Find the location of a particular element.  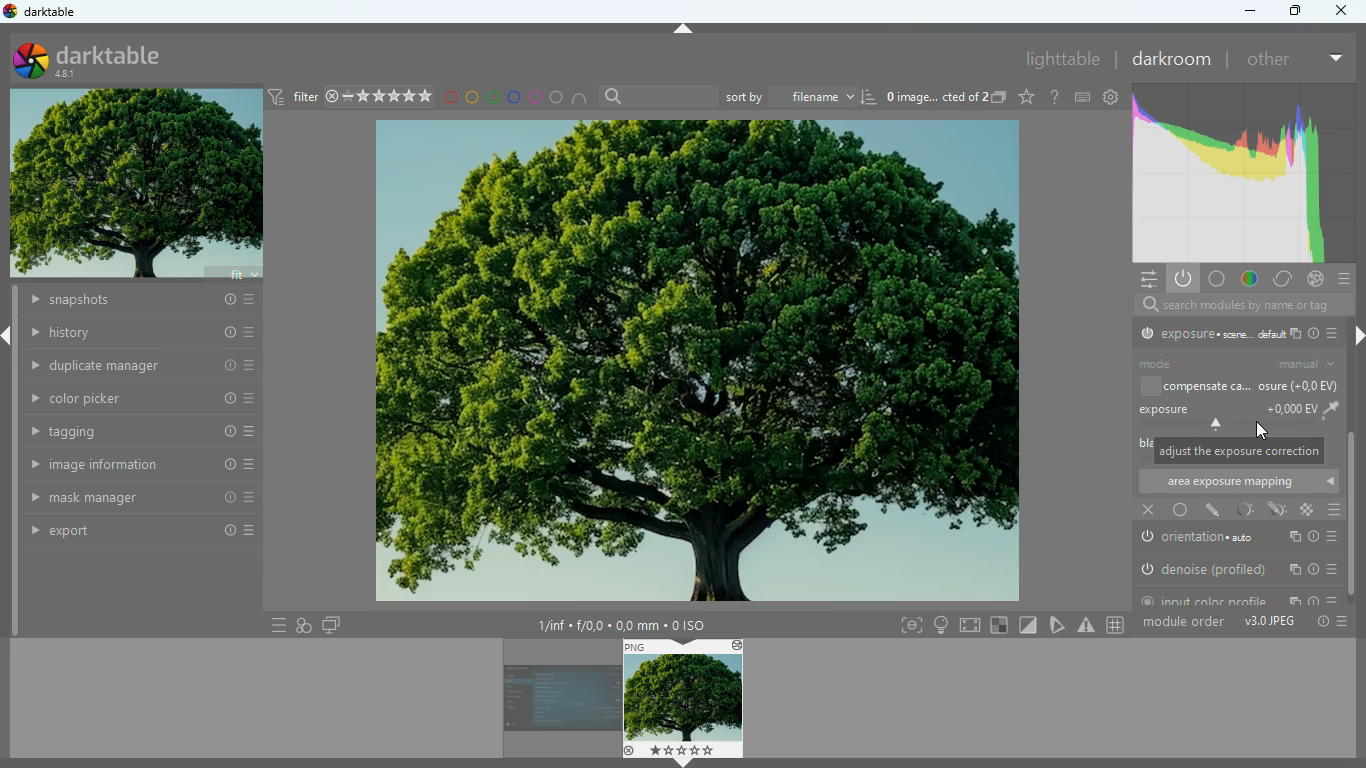

color picker is located at coordinates (134, 401).